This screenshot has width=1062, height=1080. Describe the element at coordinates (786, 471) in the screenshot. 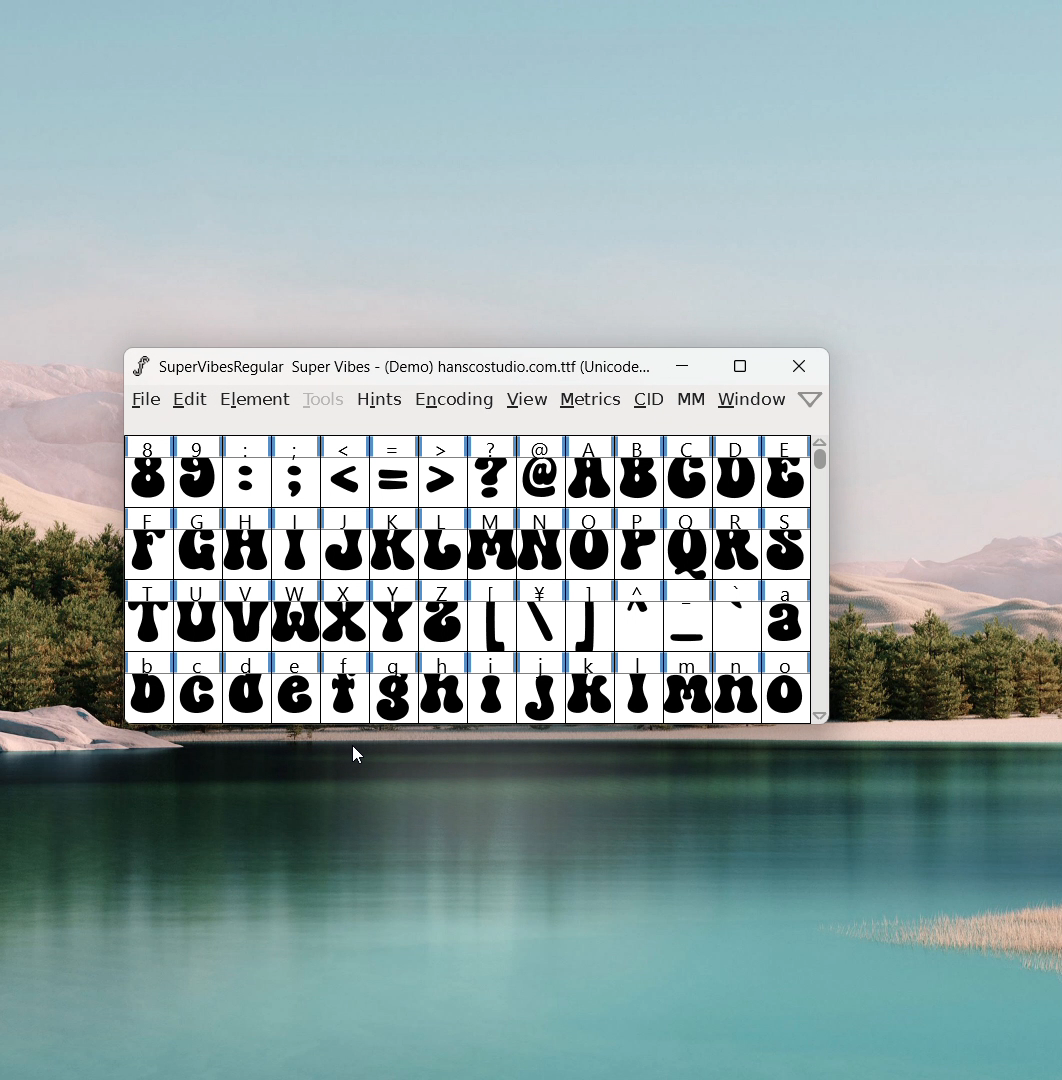

I see `E` at that location.